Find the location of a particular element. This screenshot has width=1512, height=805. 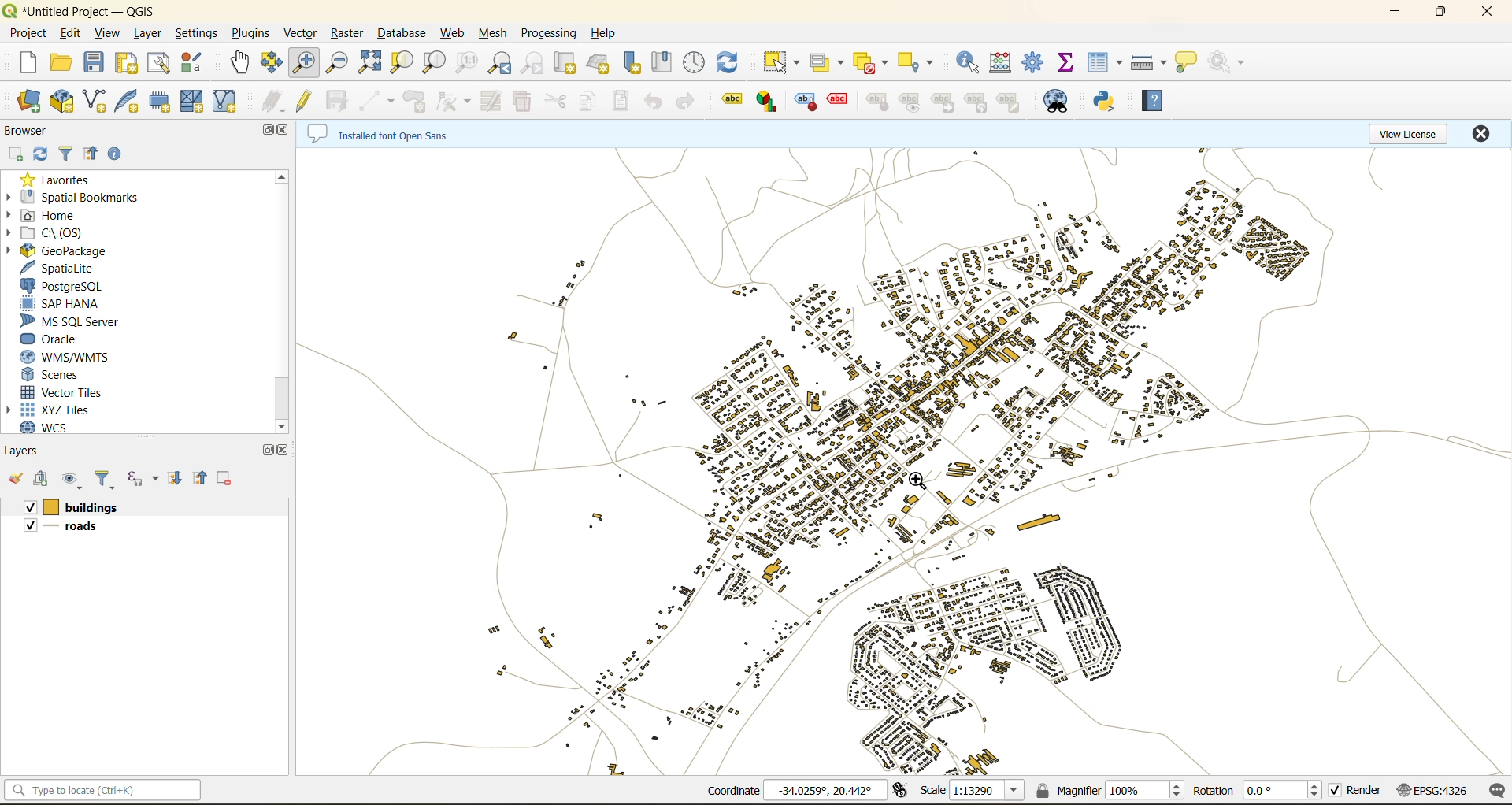

layer is located at coordinates (147, 32).